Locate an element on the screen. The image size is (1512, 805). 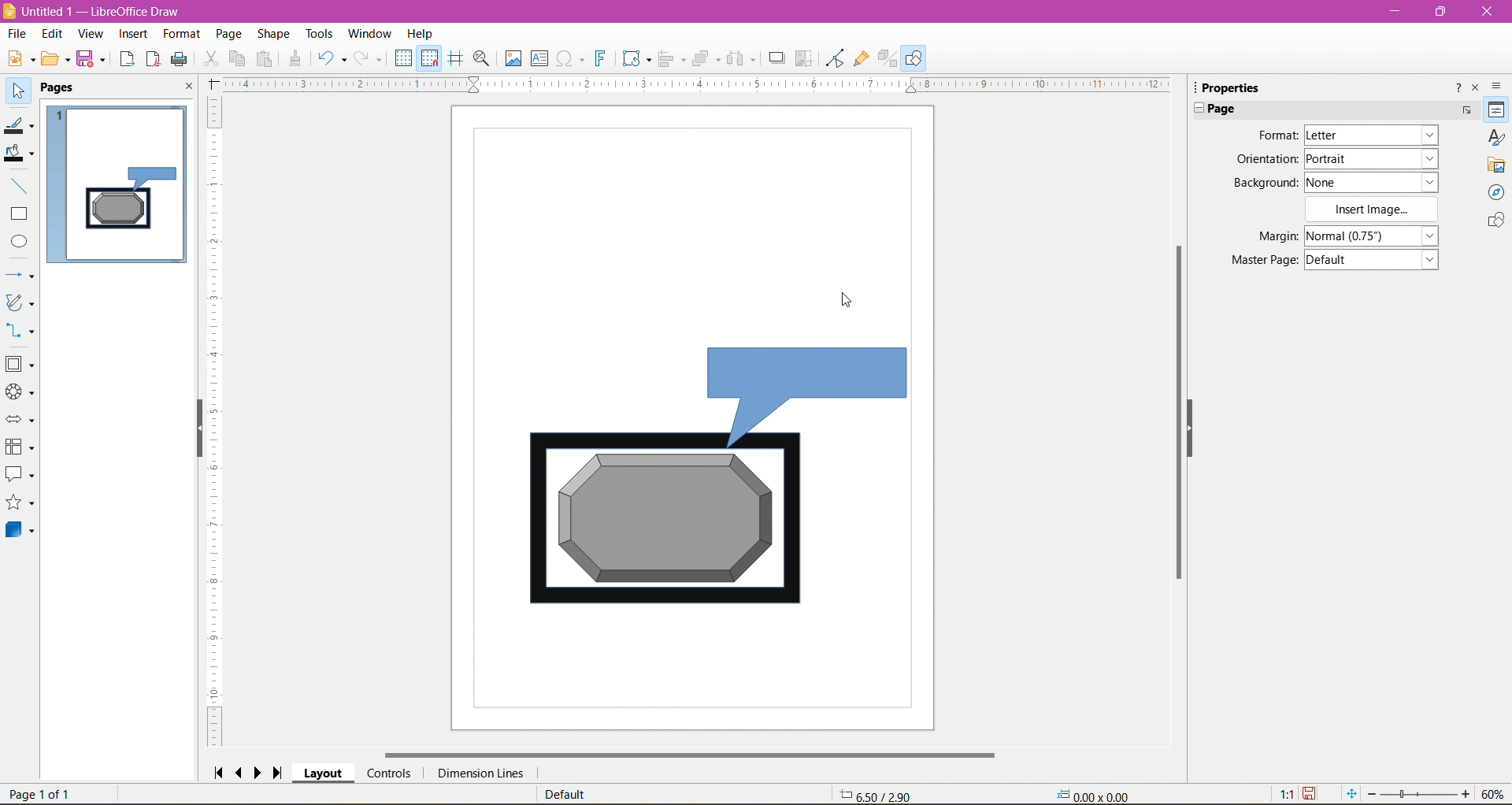
Layout is located at coordinates (324, 774).